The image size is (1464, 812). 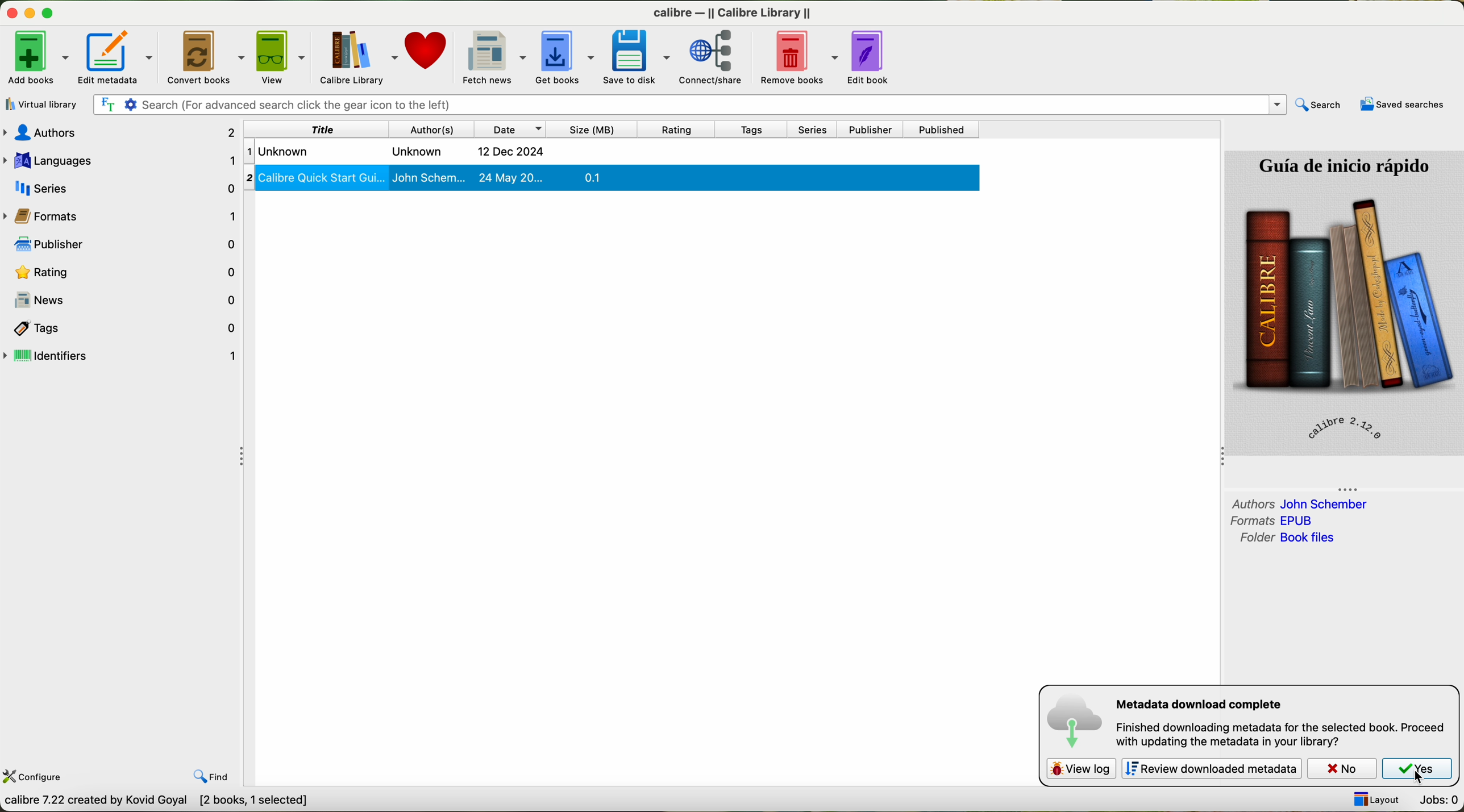 I want to click on fetch news, so click(x=494, y=56).